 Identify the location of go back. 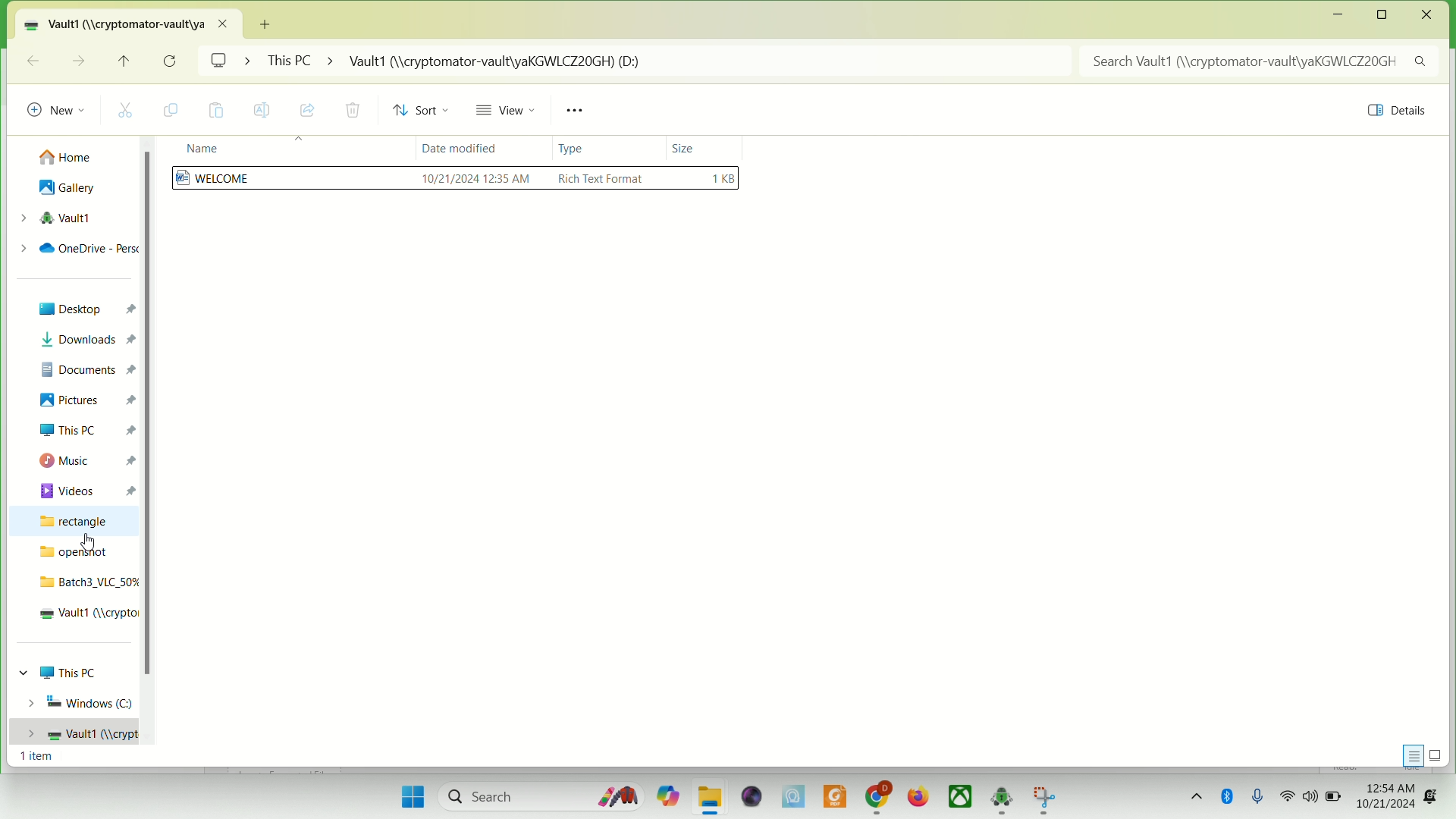
(33, 60).